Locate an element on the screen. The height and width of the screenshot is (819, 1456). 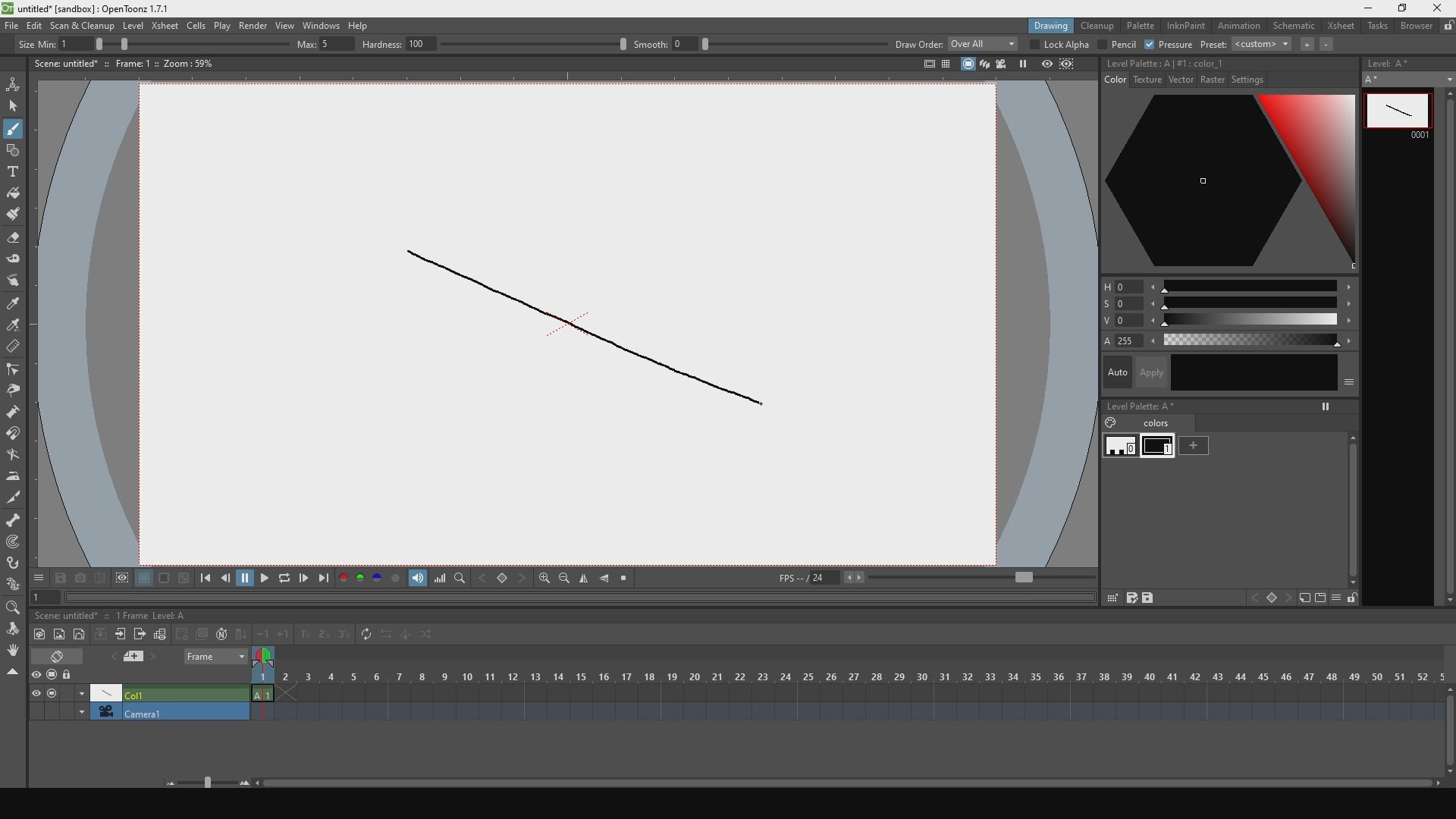
mapping point is located at coordinates (14, 544).